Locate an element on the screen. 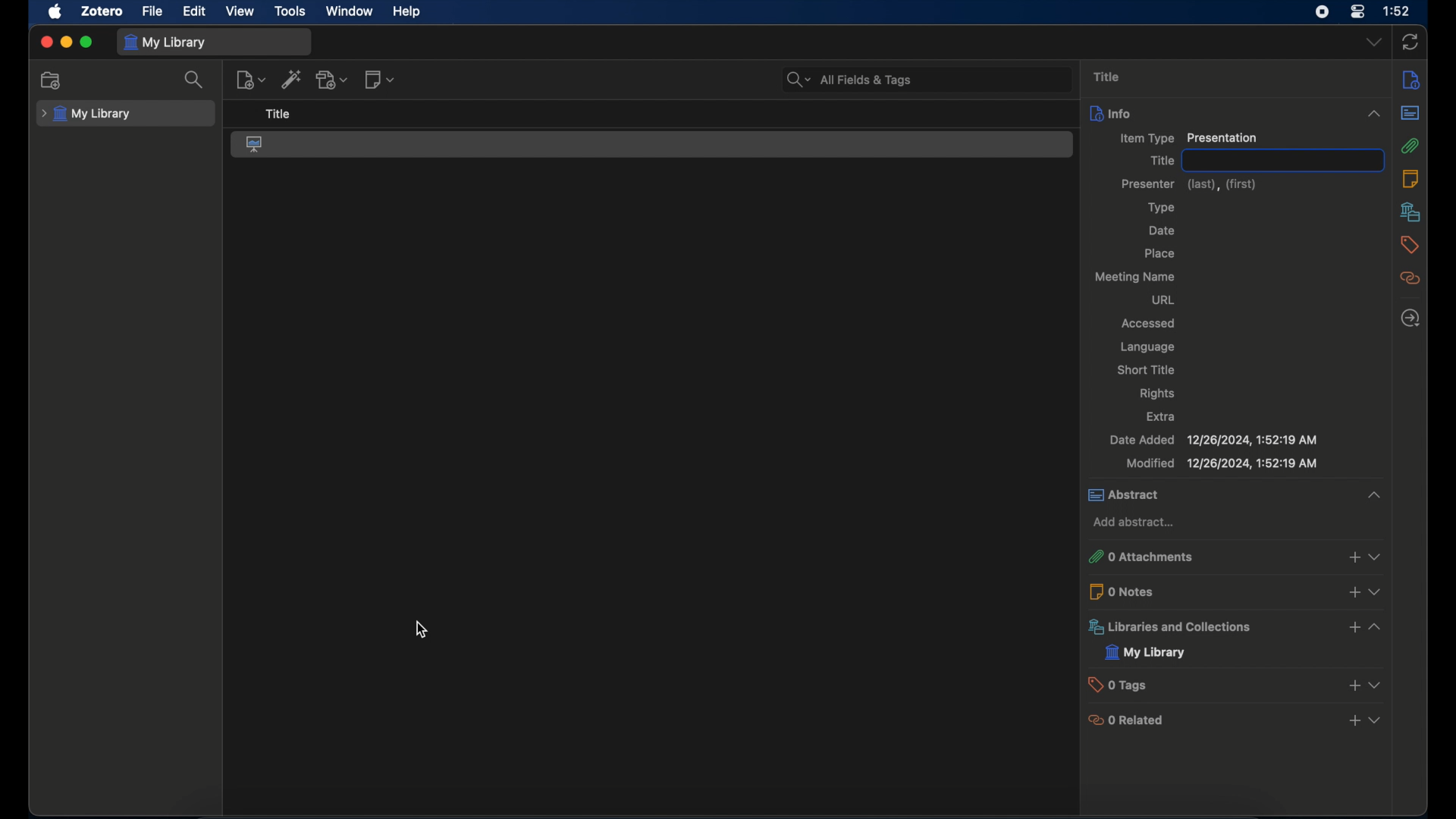 The width and height of the screenshot is (1456, 819). dropdown is located at coordinates (1374, 43).